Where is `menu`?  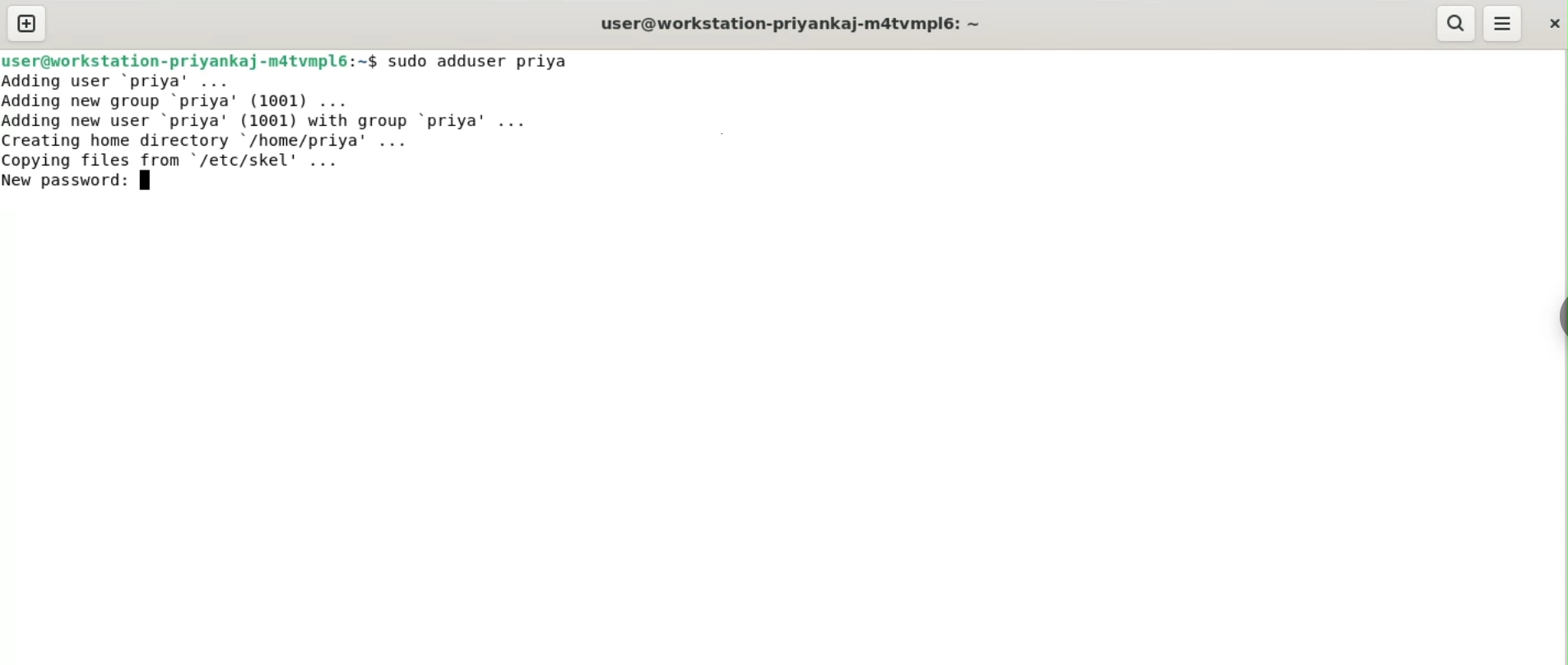 menu is located at coordinates (1503, 24).